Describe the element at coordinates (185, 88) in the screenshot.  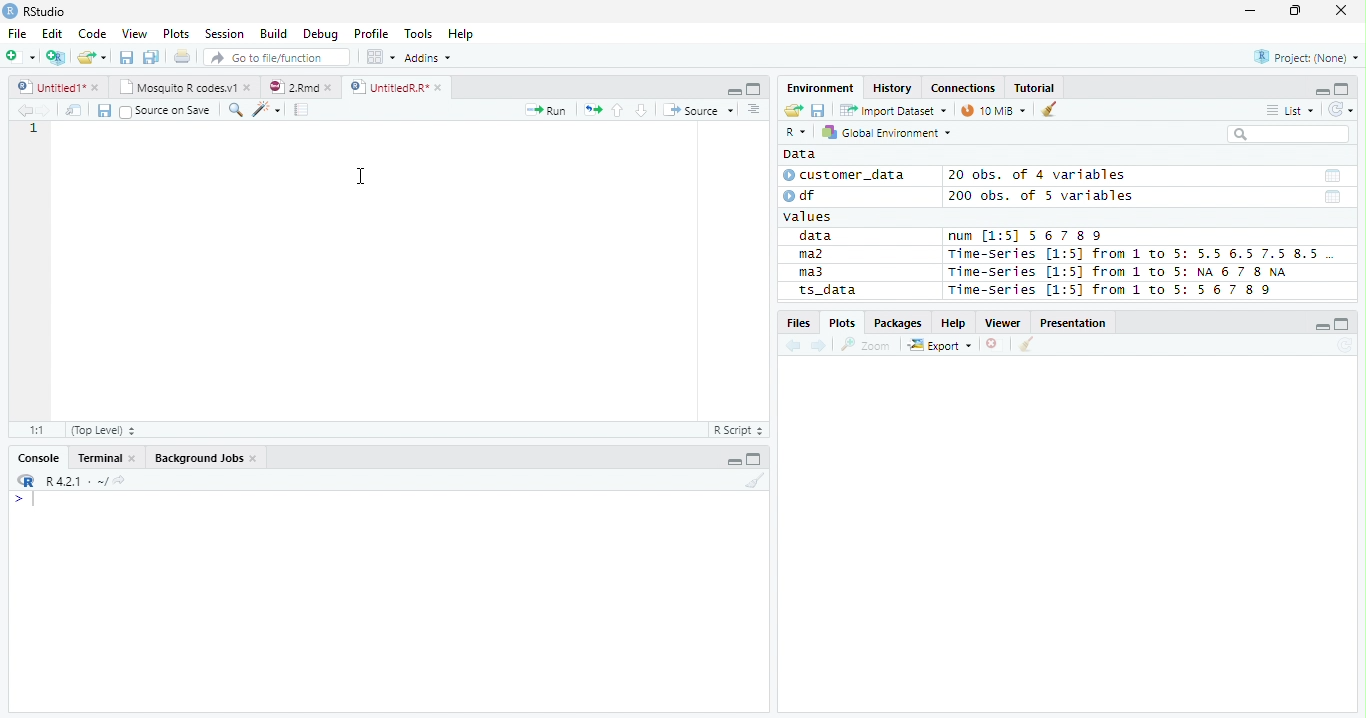
I see `Mosquito T codes.v1` at that location.